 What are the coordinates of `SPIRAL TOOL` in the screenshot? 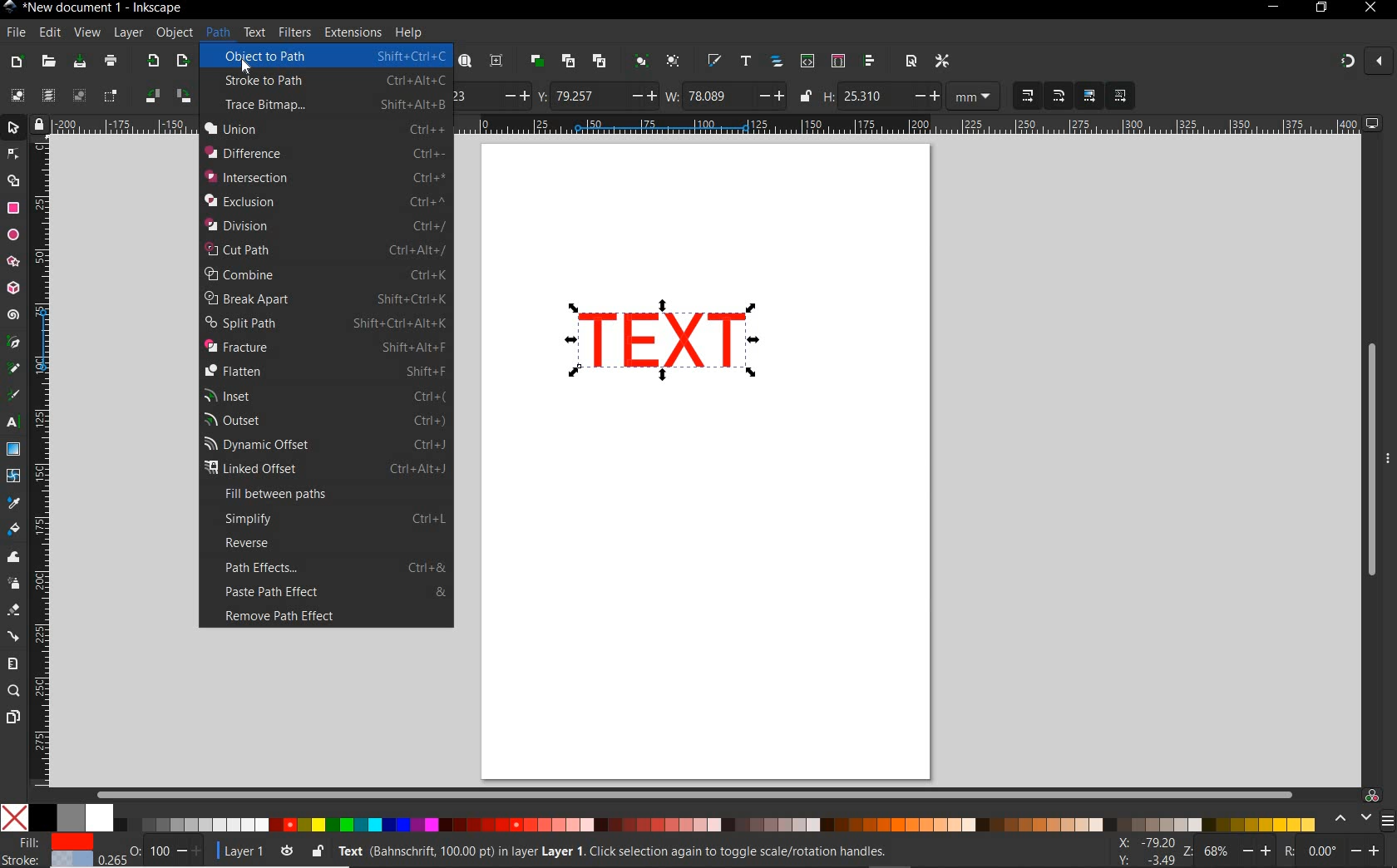 It's located at (13, 316).